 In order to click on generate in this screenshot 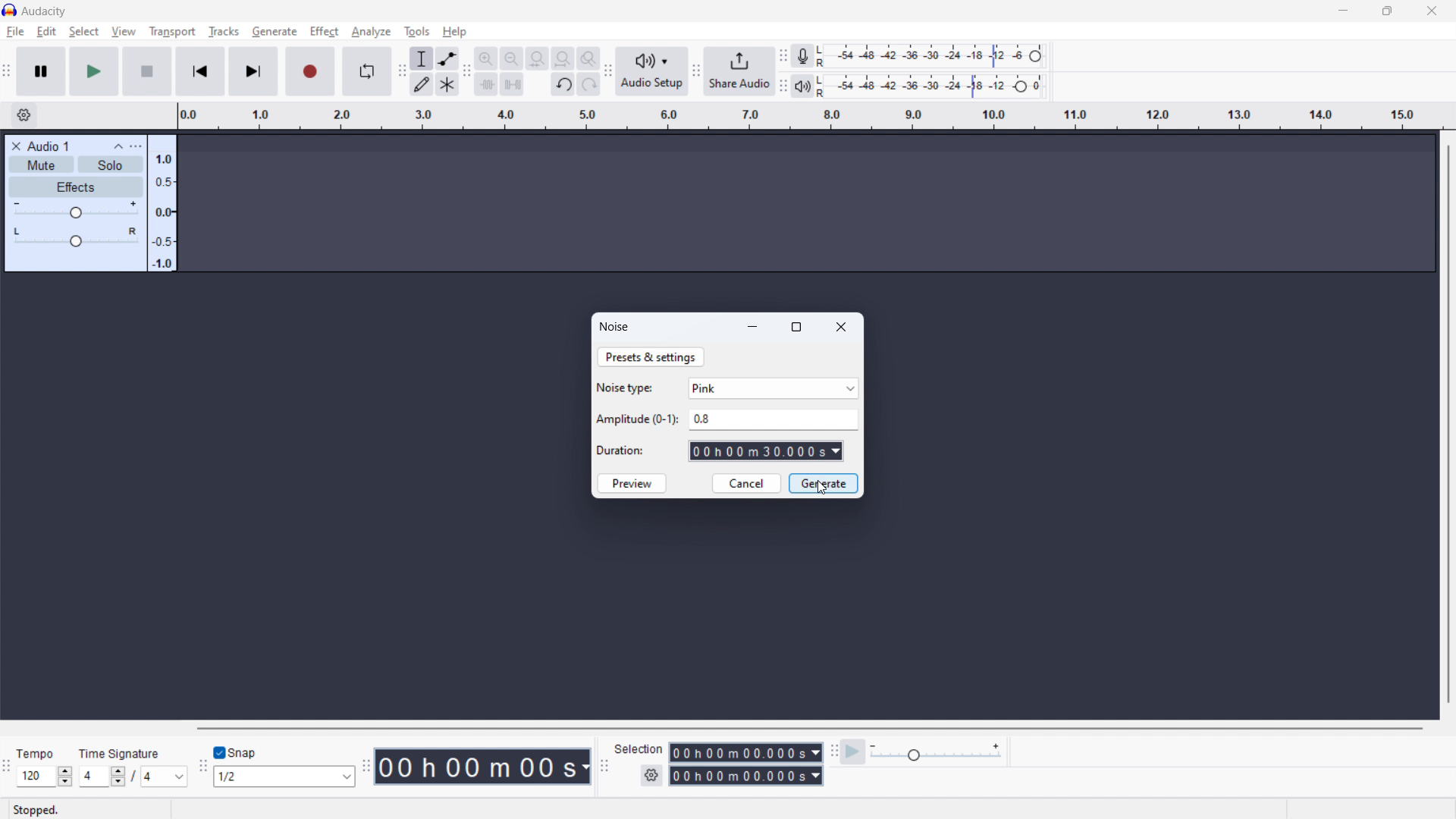, I will do `click(824, 483)`.